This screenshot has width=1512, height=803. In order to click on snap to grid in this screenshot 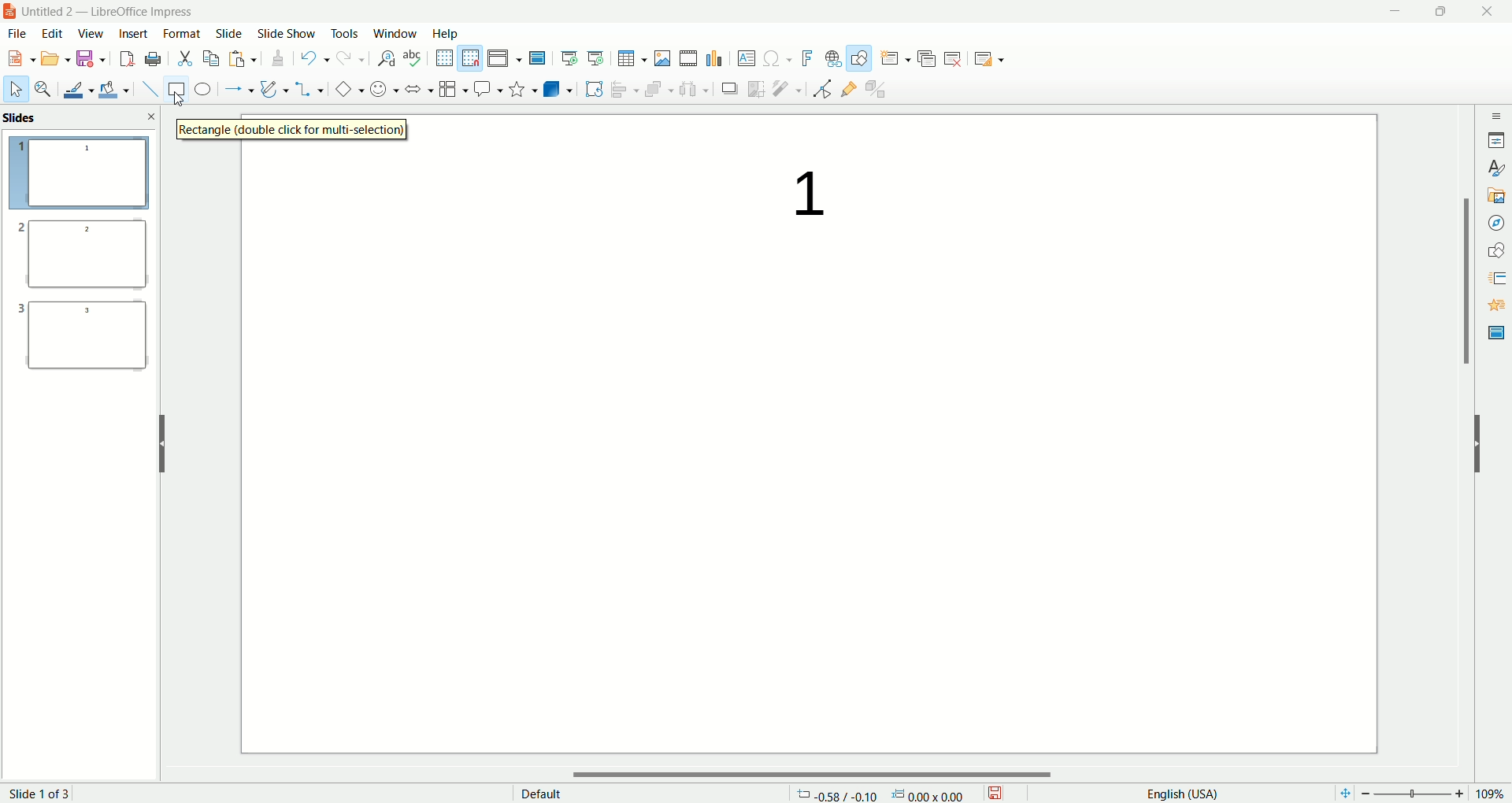, I will do `click(472, 58)`.